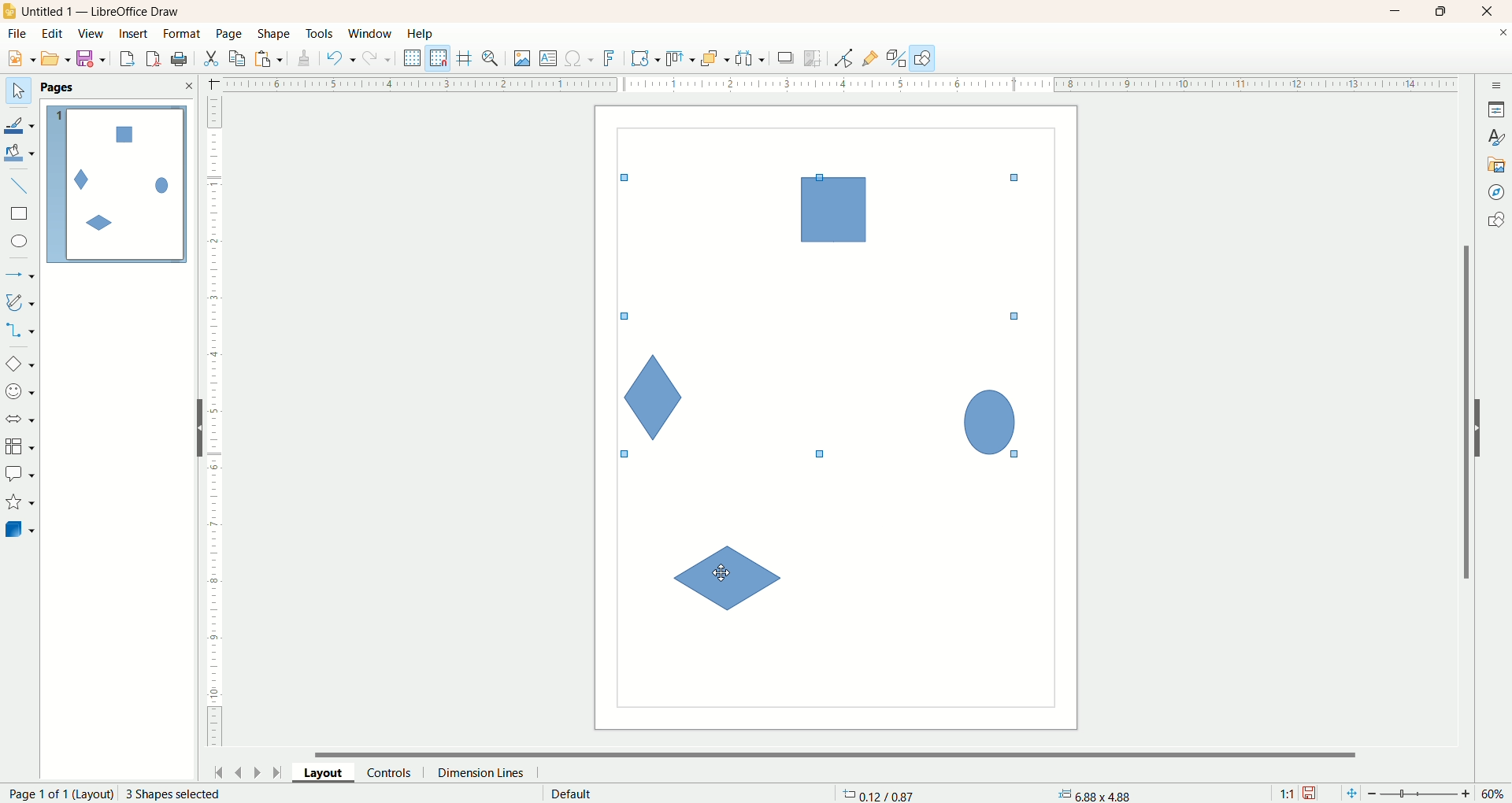 This screenshot has height=803, width=1512. I want to click on zo, so click(493, 58).